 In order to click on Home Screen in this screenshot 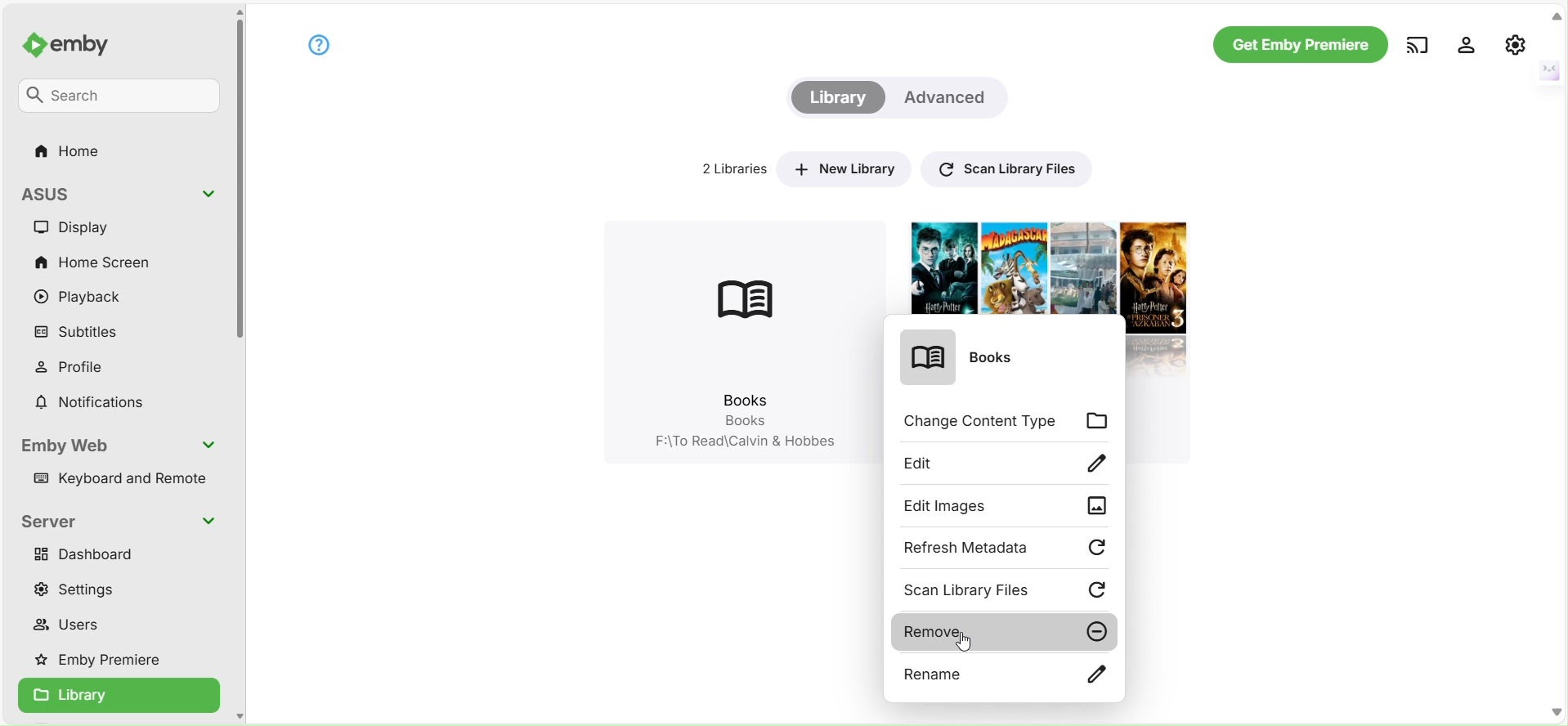, I will do `click(93, 260)`.